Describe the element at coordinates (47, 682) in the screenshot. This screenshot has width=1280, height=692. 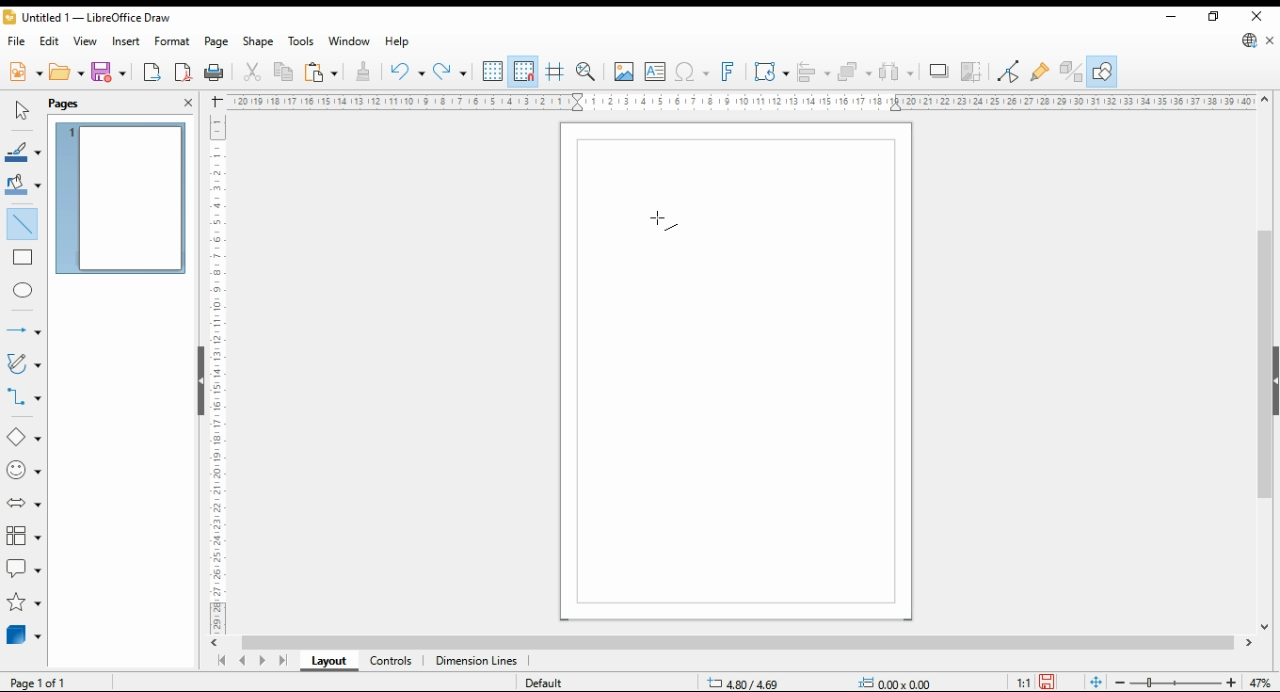
I see `page 1 of 1` at that location.